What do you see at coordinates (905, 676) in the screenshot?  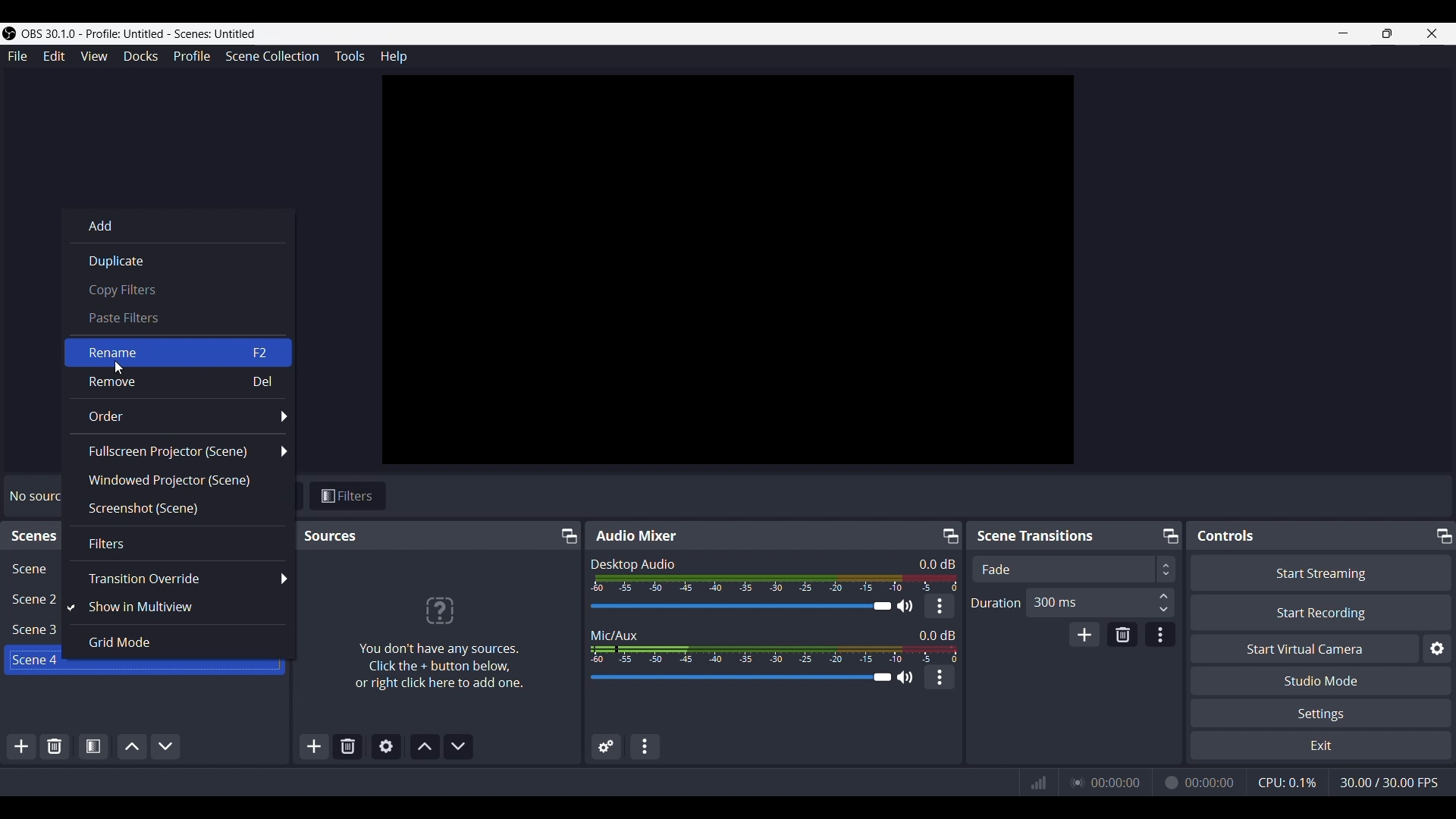 I see `Speaker Icon` at bounding box center [905, 676].